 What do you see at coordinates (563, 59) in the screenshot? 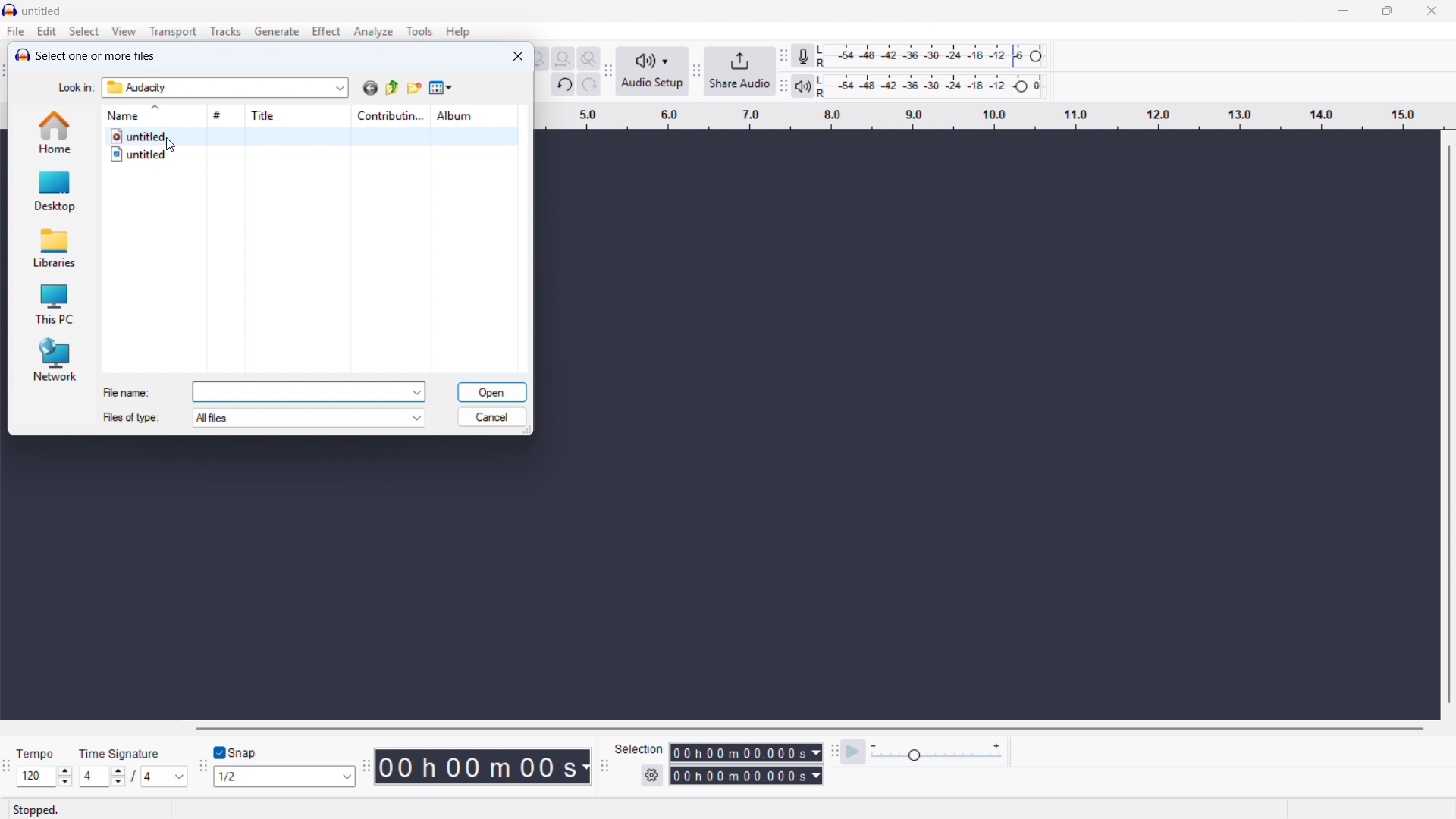
I see `` at bounding box center [563, 59].